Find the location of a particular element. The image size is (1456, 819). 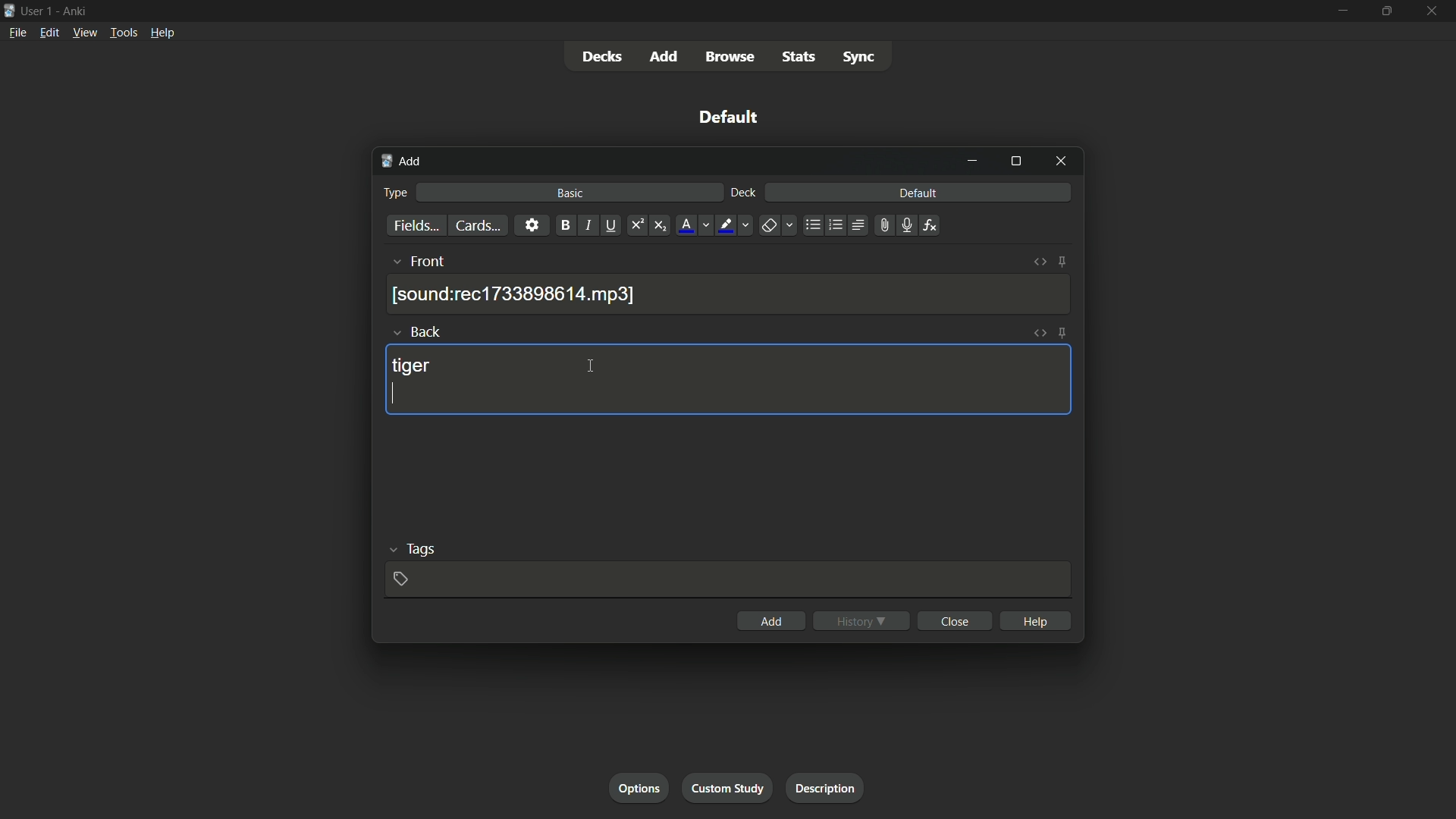

maximize is located at coordinates (1015, 162).